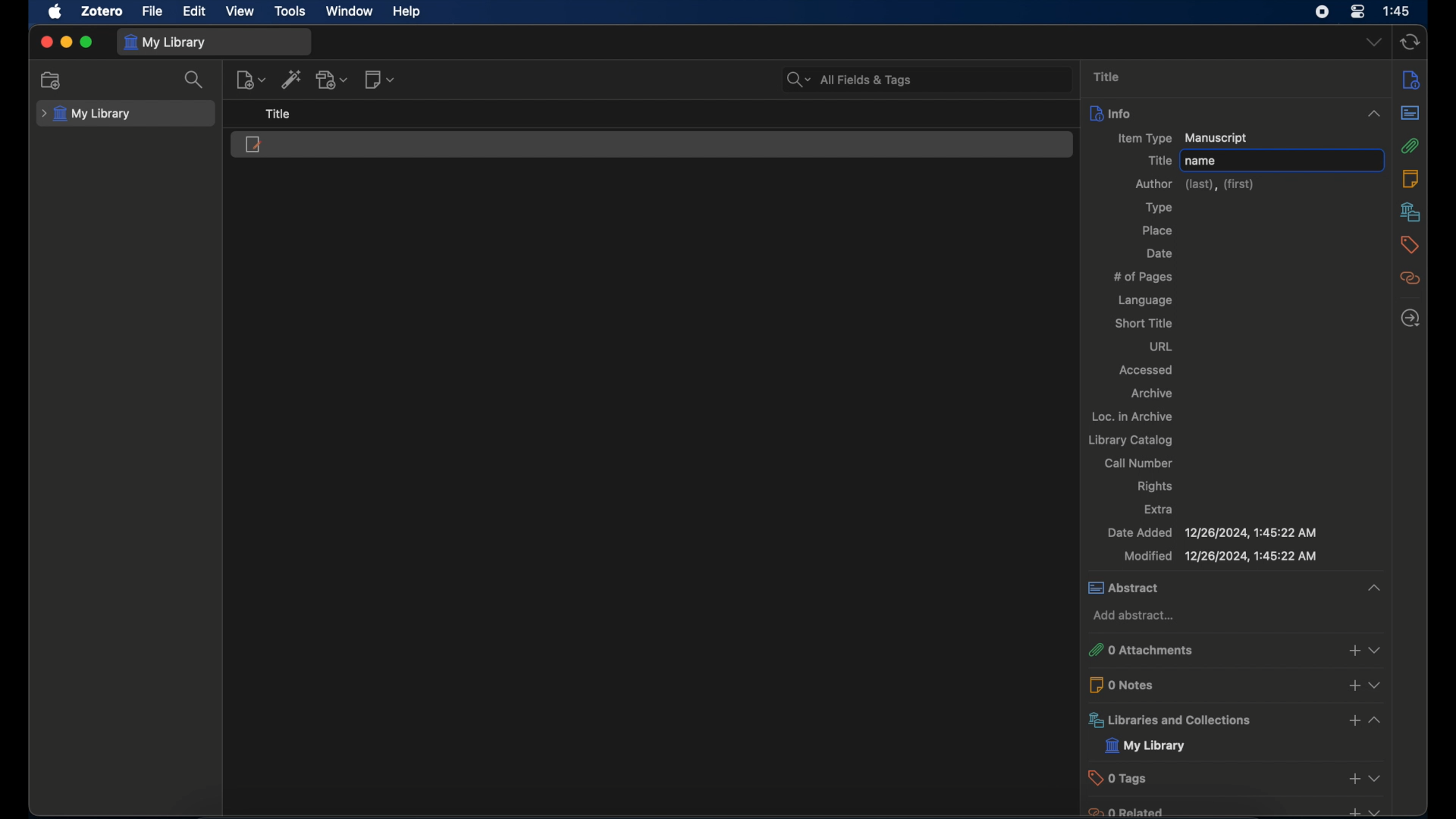  What do you see at coordinates (1145, 746) in the screenshot?
I see `my library` at bounding box center [1145, 746].